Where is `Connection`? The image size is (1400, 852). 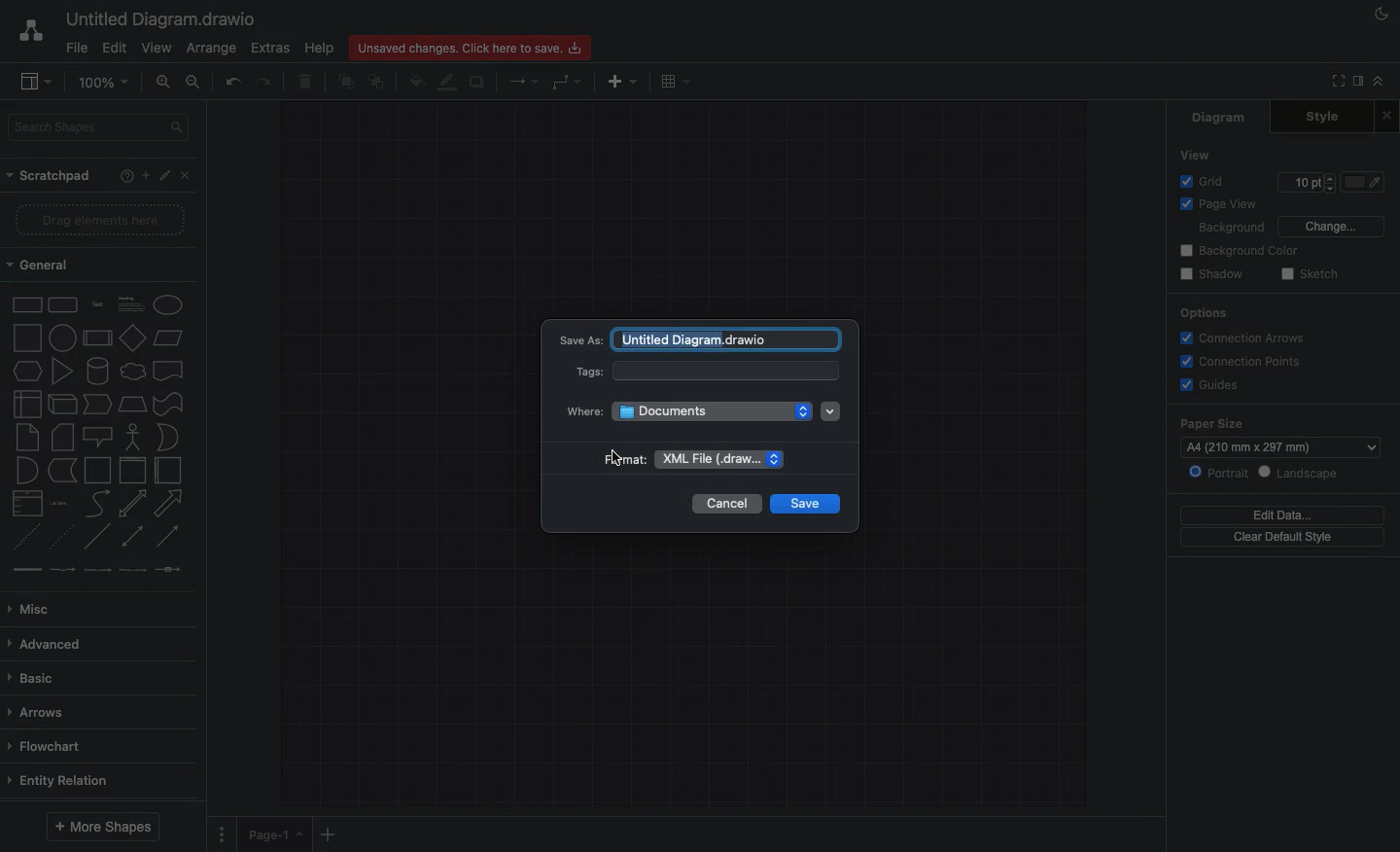
Connection is located at coordinates (524, 81).